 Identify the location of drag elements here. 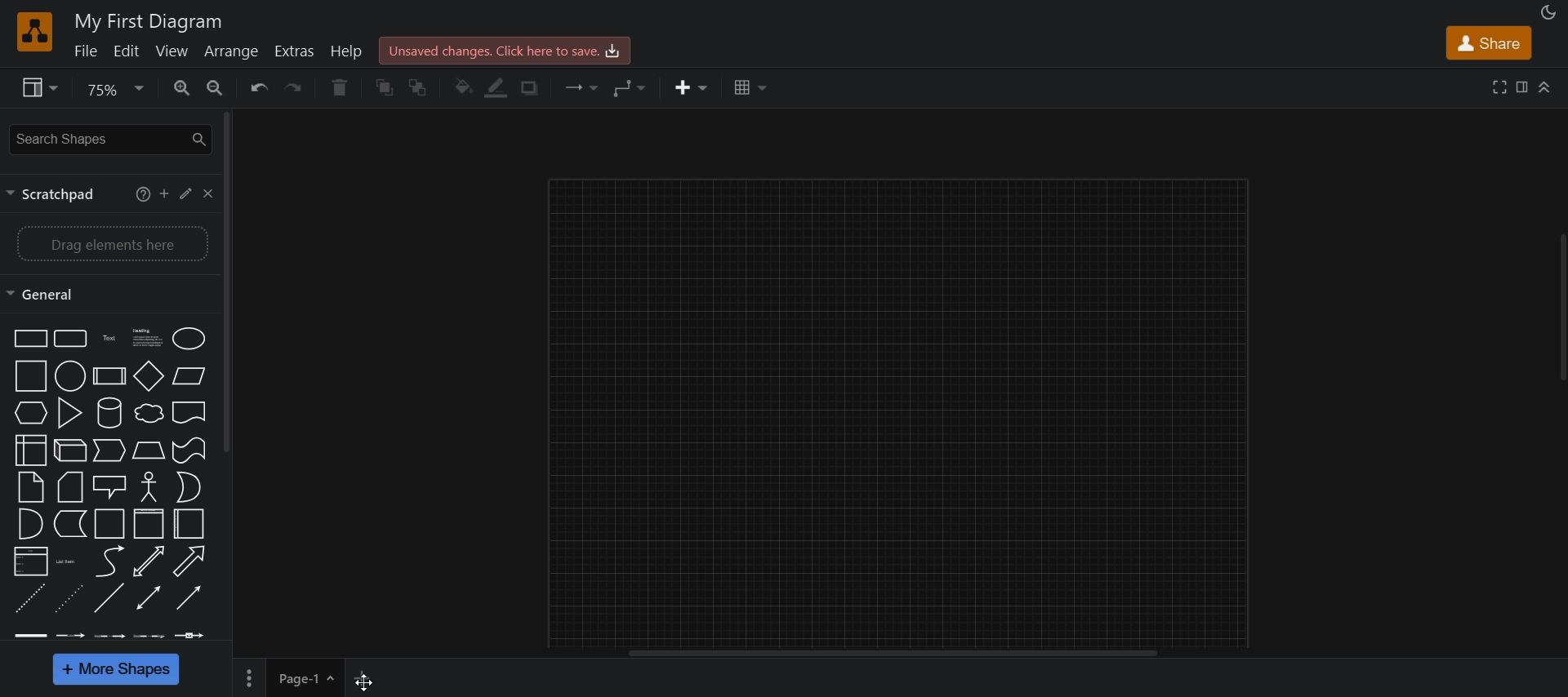
(107, 242).